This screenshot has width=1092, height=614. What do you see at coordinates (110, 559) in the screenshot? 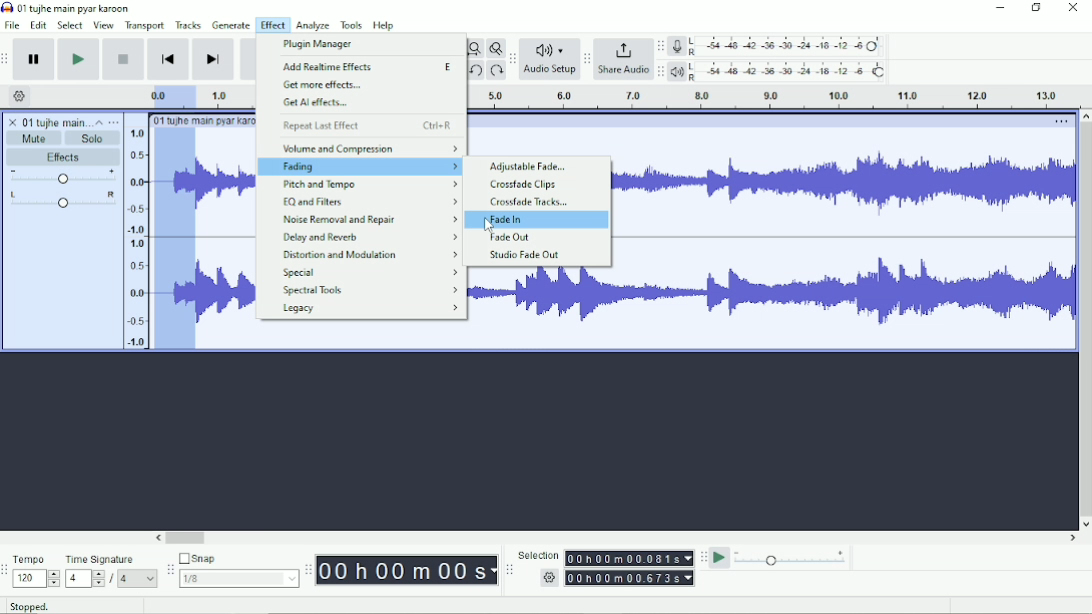
I see `Time Signature` at bounding box center [110, 559].